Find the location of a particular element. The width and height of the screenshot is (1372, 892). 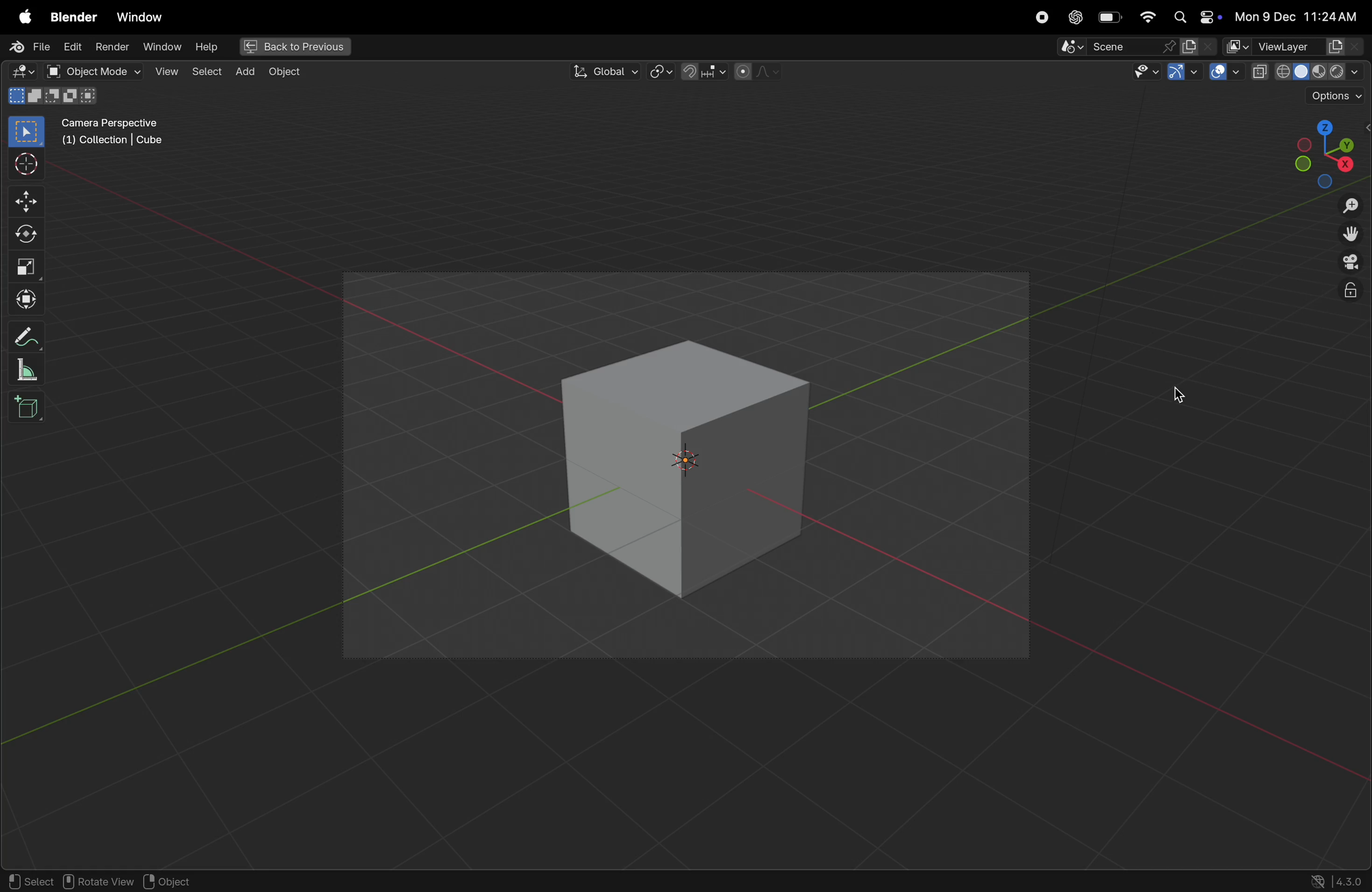

blender is located at coordinates (75, 14).